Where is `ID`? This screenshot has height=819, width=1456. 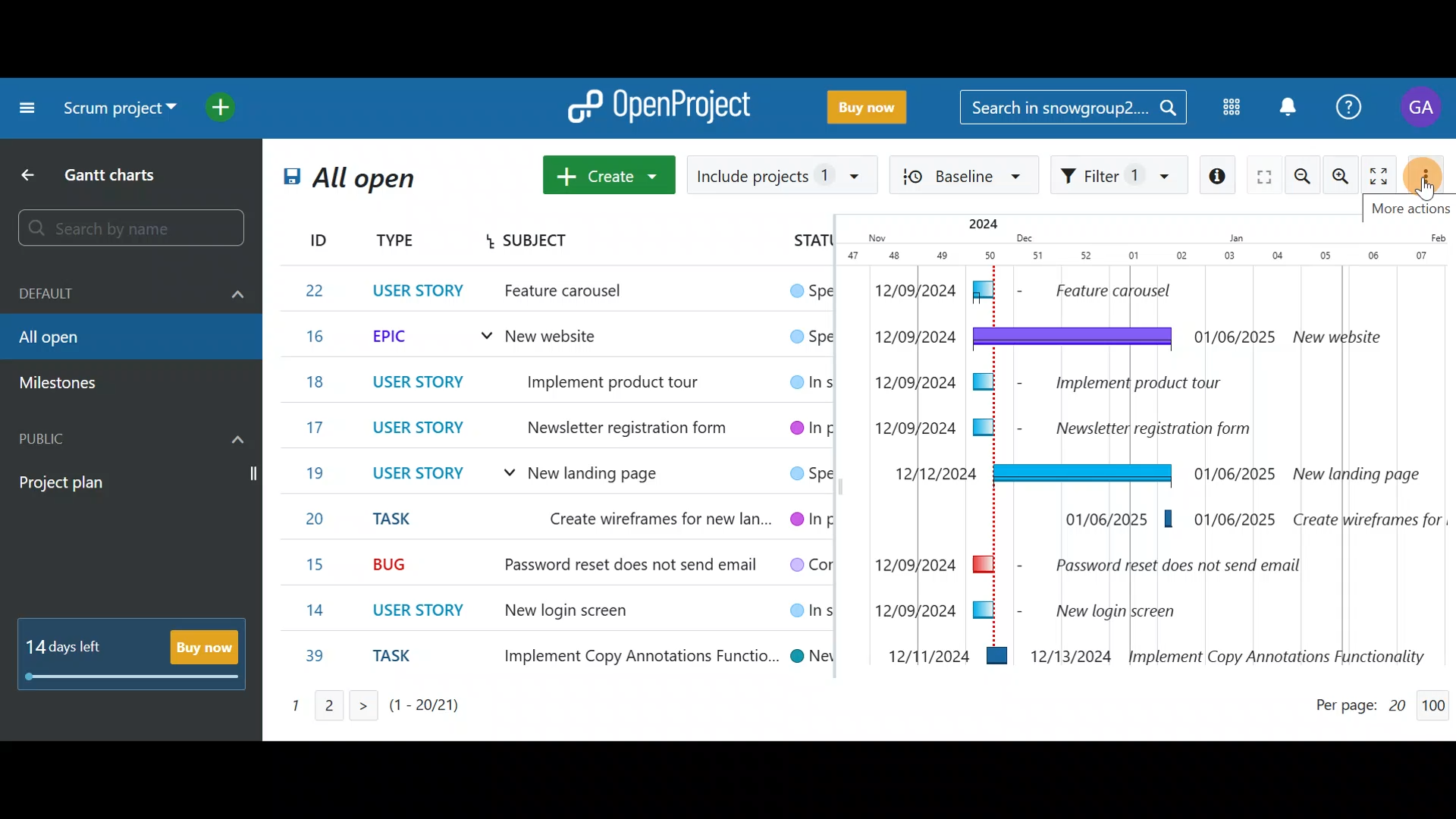 ID is located at coordinates (306, 237).